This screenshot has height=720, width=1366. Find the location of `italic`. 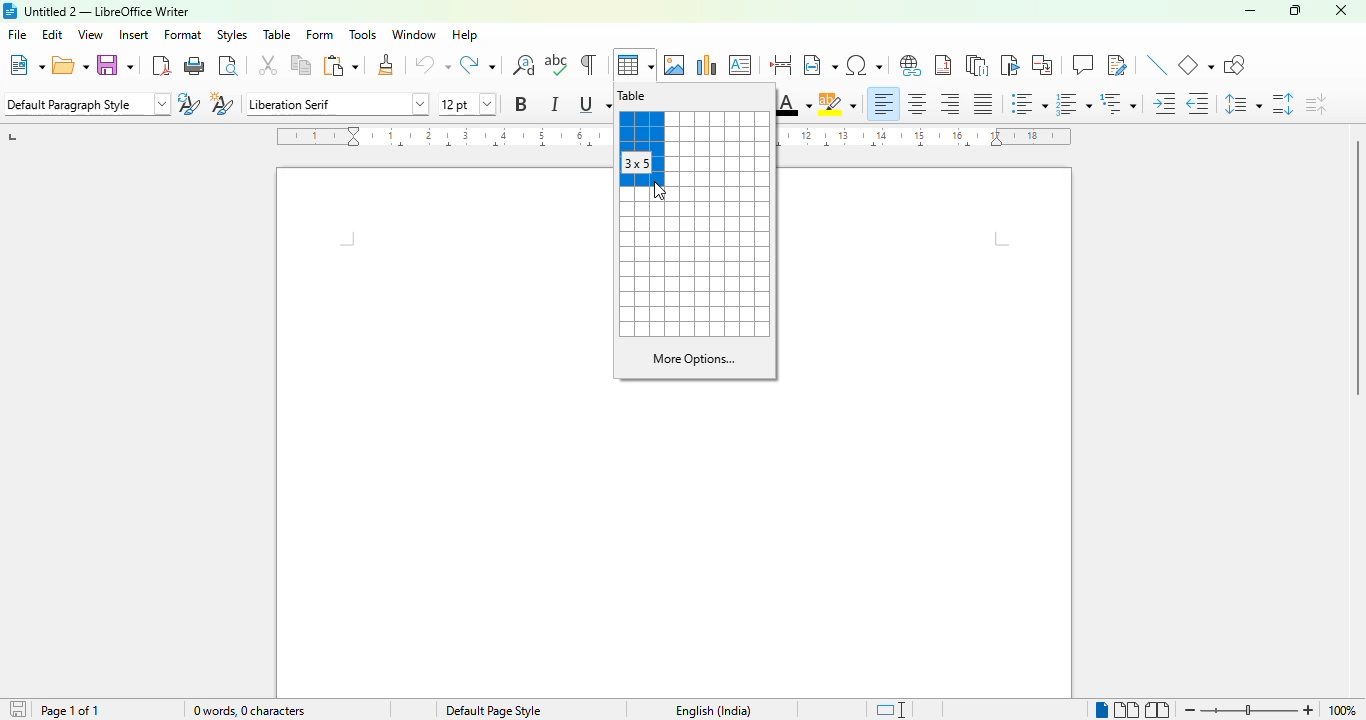

italic is located at coordinates (553, 104).